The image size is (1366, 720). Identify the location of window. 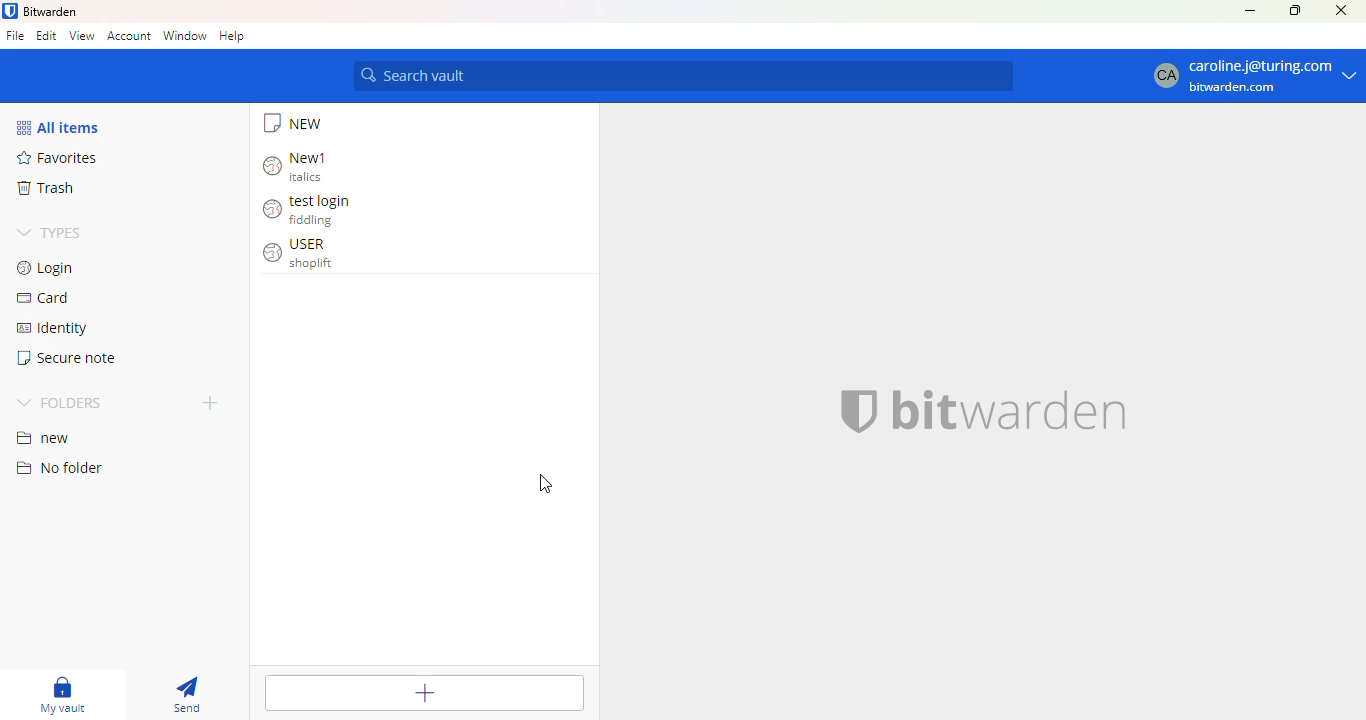
(184, 35).